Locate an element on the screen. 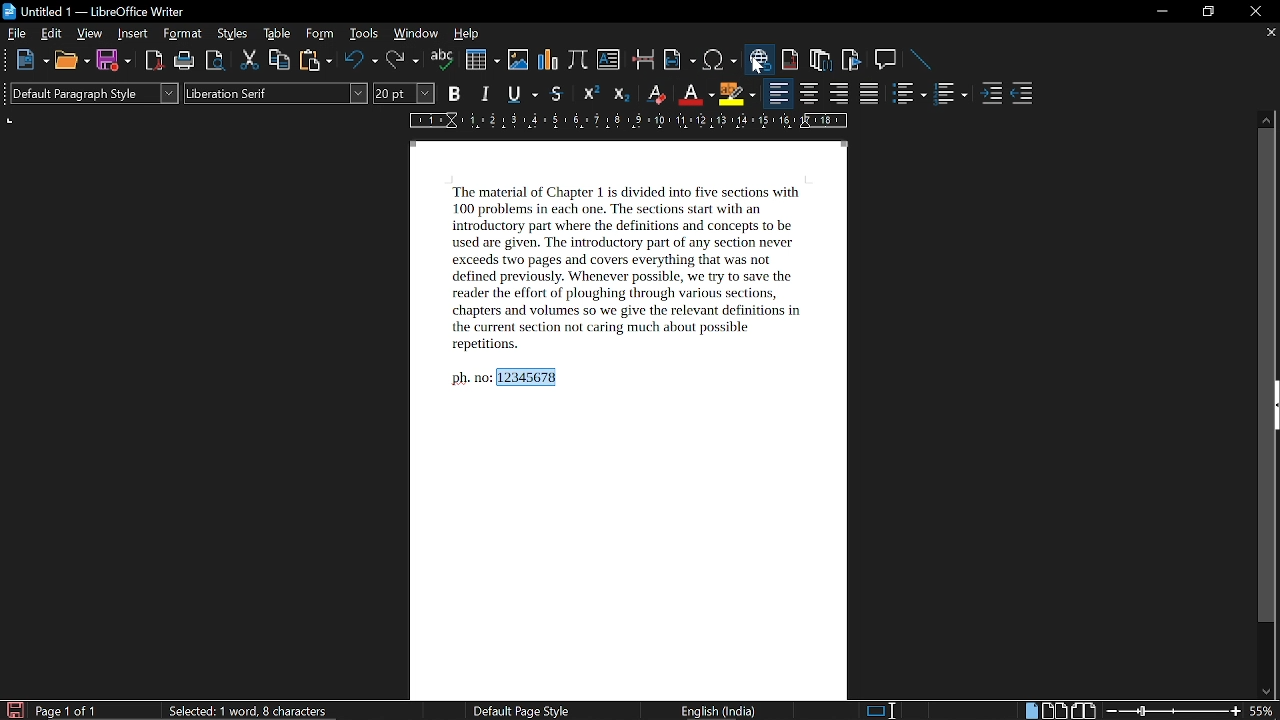 Image resolution: width=1280 pixels, height=720 pixels. Untitled 1 - LibreOffice Writer is located at coordinates (96, 11).